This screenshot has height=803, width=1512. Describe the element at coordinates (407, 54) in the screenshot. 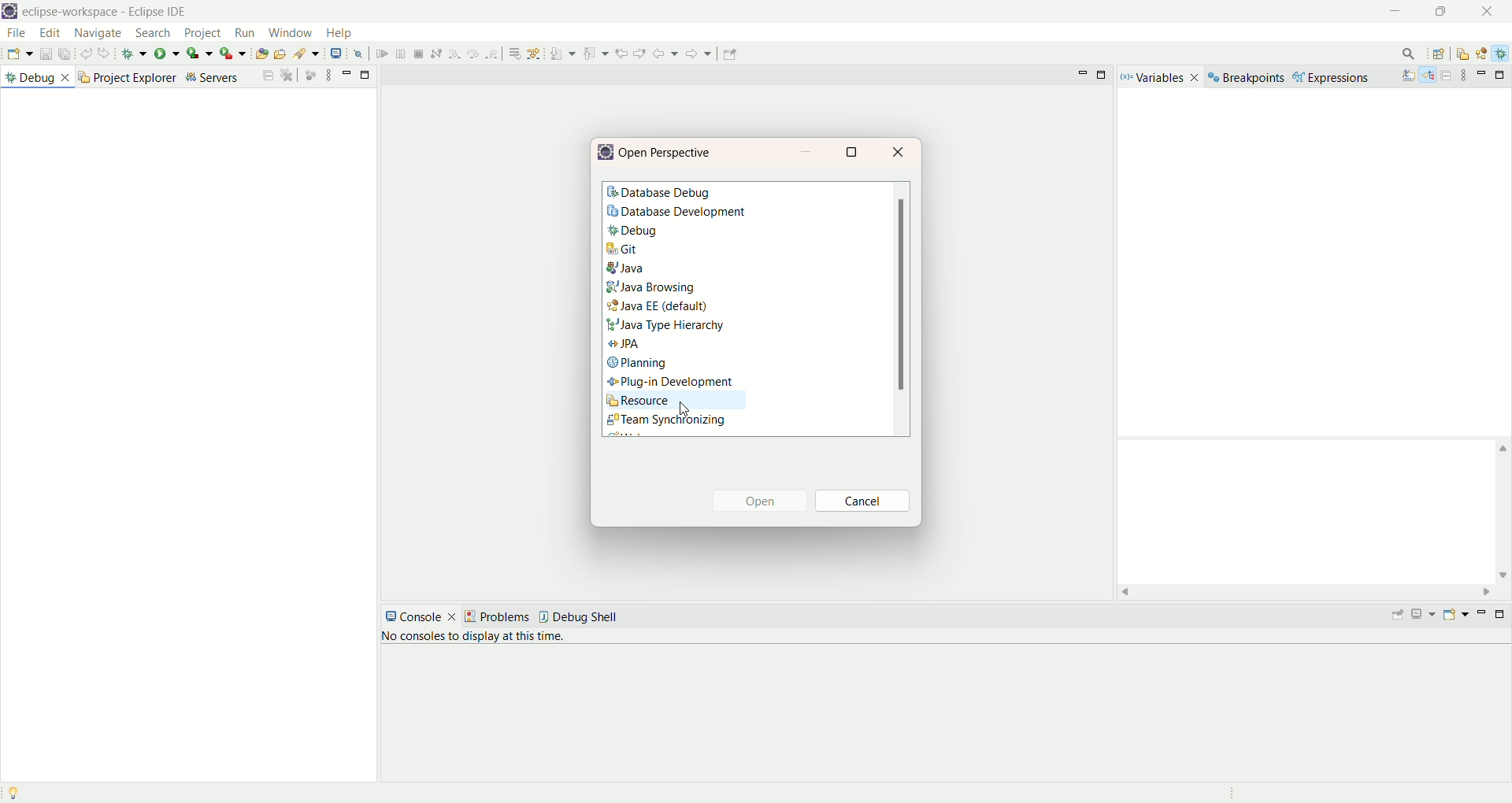

I see `open web browser` at that location.